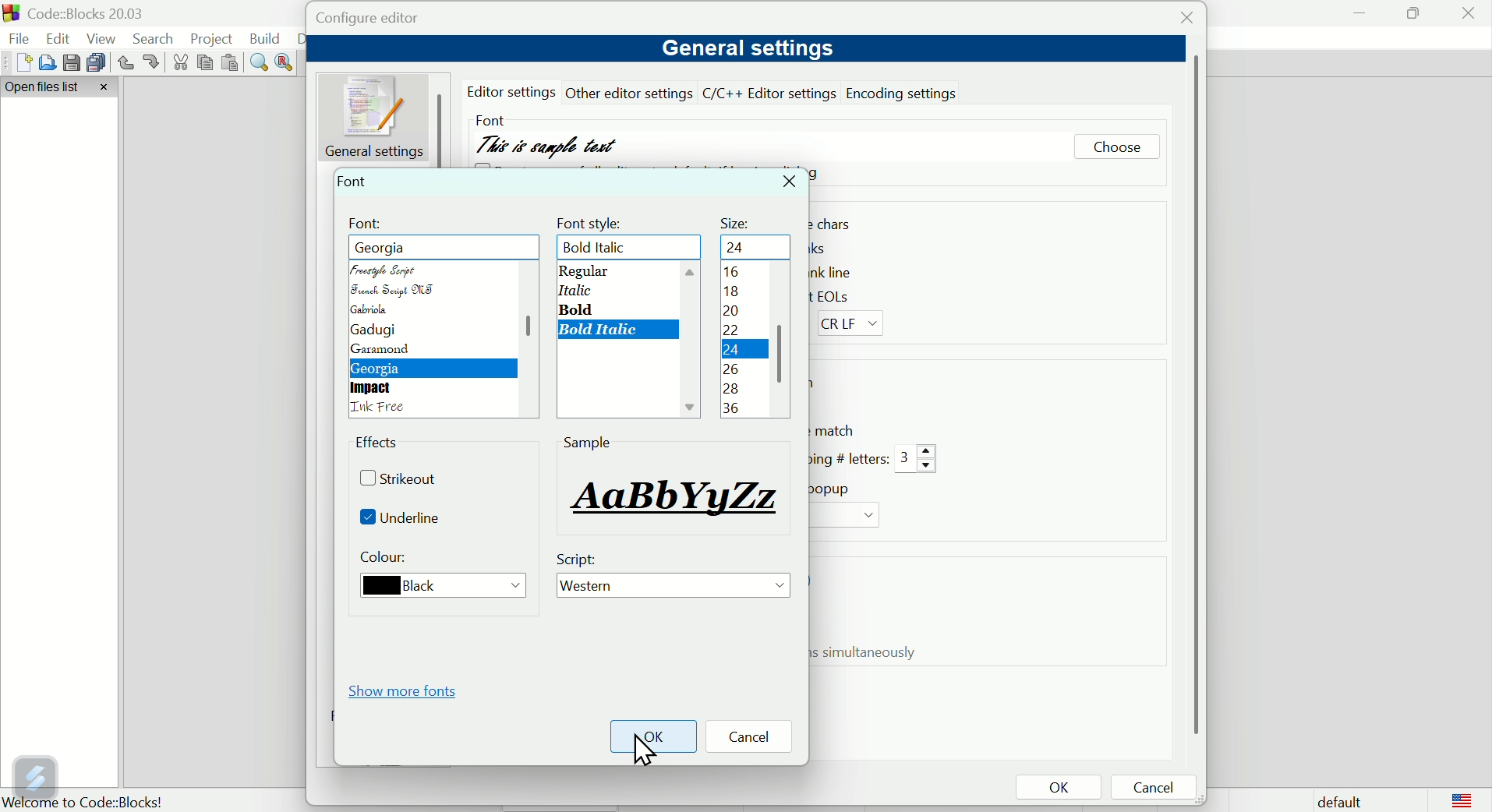  What do you see at coordinates (389, 269) in the screenshot?
I see `Freestyle script` at bounding box center [389, 269].